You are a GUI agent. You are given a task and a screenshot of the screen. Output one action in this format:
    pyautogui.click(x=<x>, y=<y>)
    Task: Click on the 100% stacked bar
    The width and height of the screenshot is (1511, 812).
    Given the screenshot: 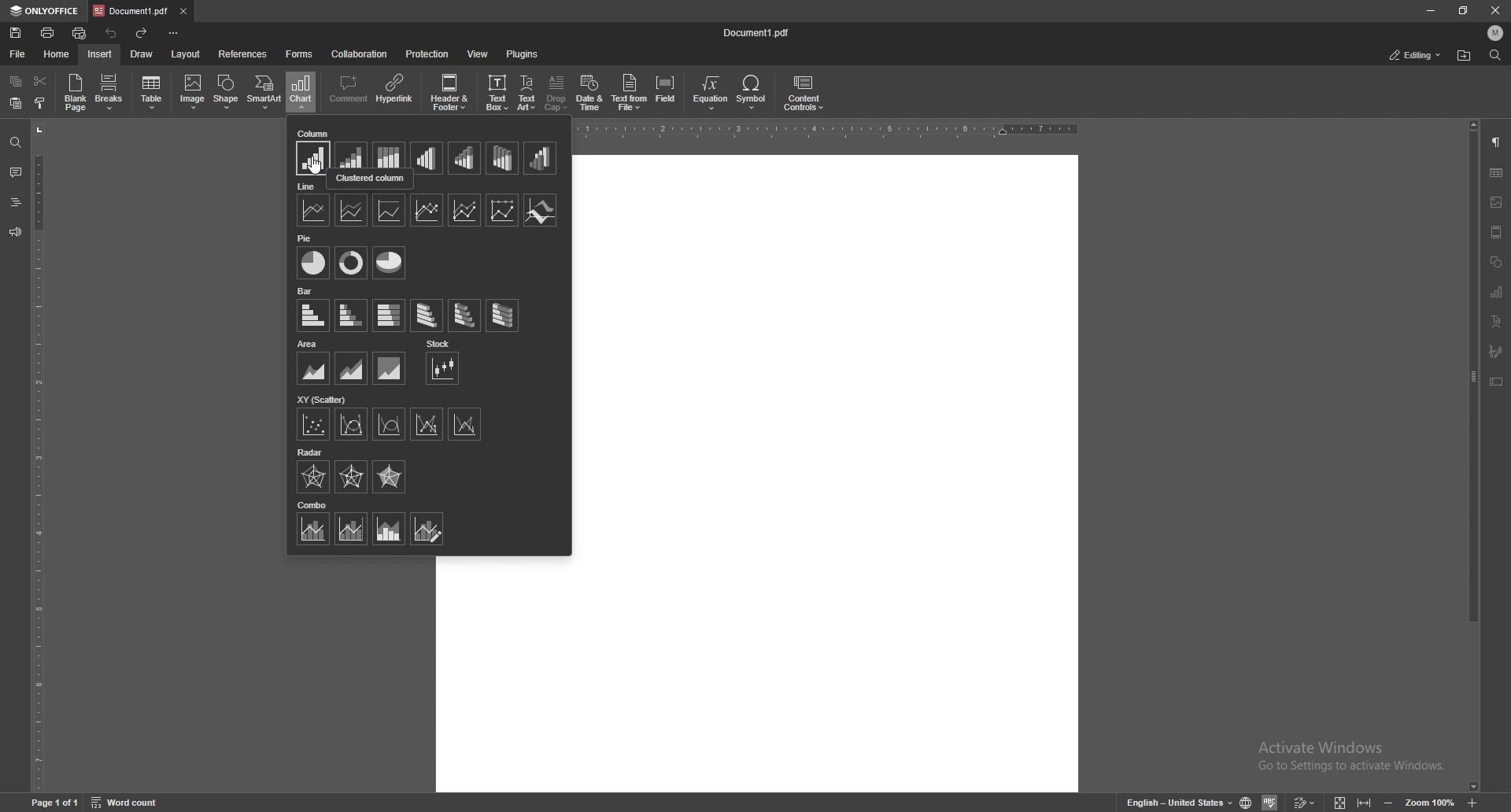 What is the action you would take?
    pyautogui.click(x=389, y=316)
    